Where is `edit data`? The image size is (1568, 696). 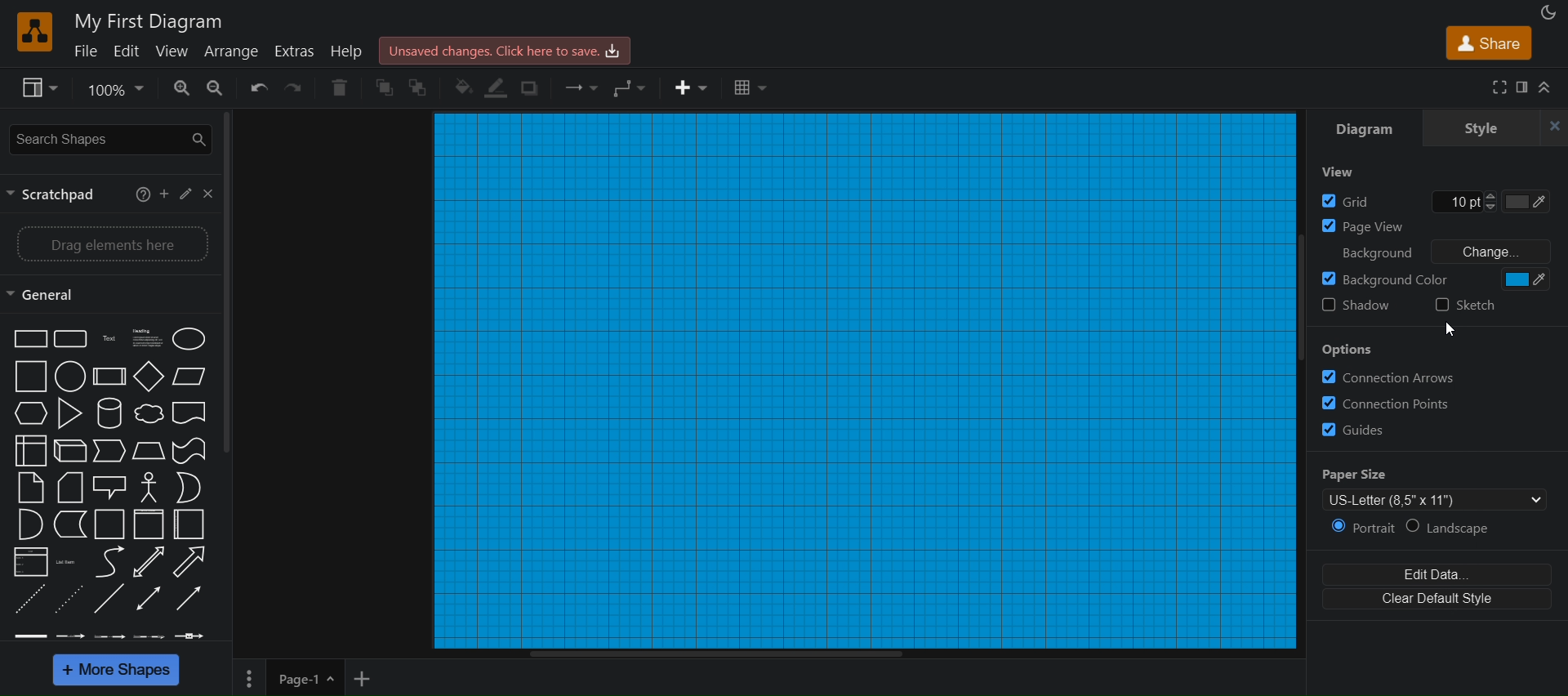
edit data is located at coordinates (1441, 575).